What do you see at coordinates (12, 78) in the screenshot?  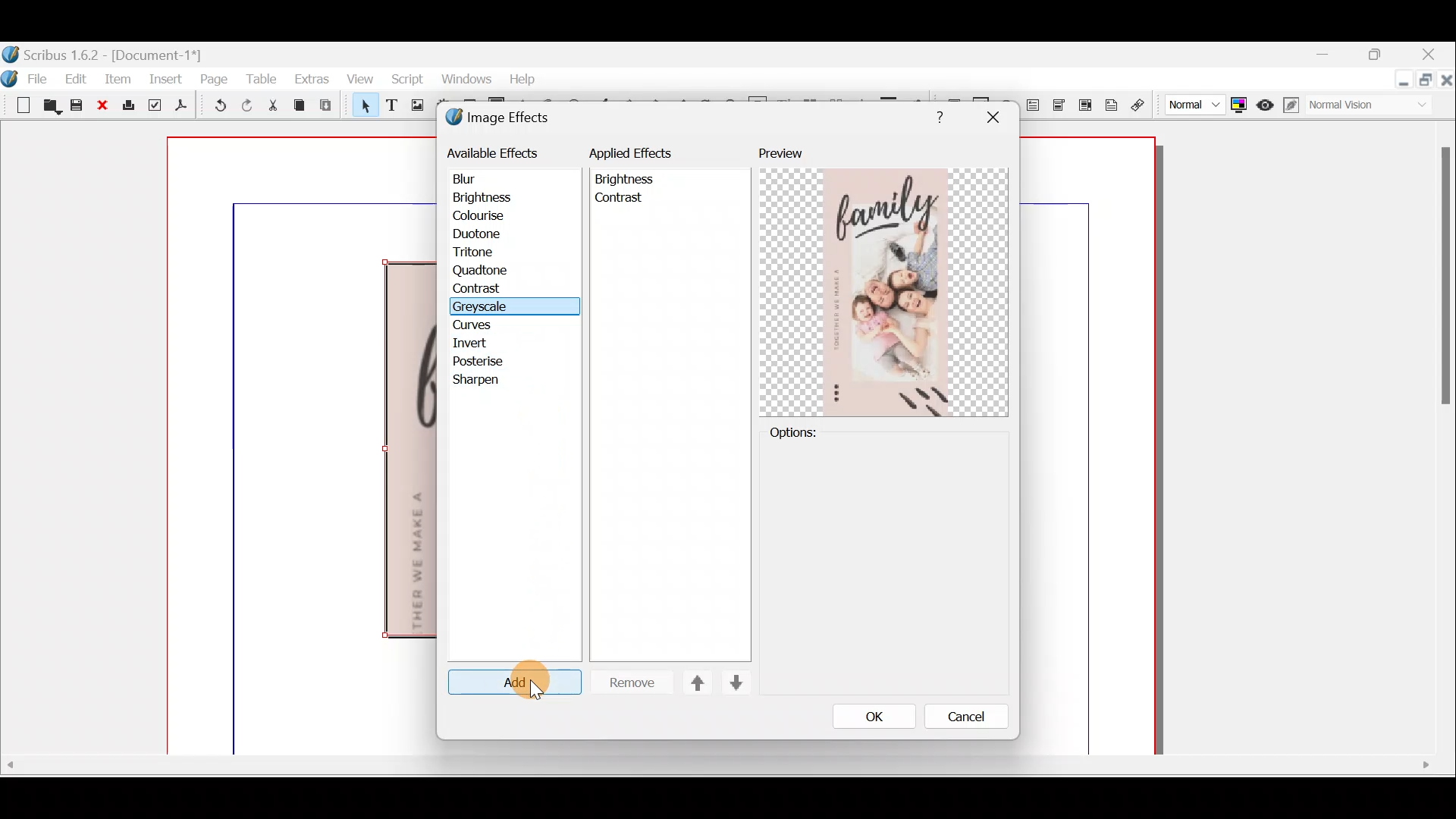 I see `Logo` at bounding box center [12, 78].